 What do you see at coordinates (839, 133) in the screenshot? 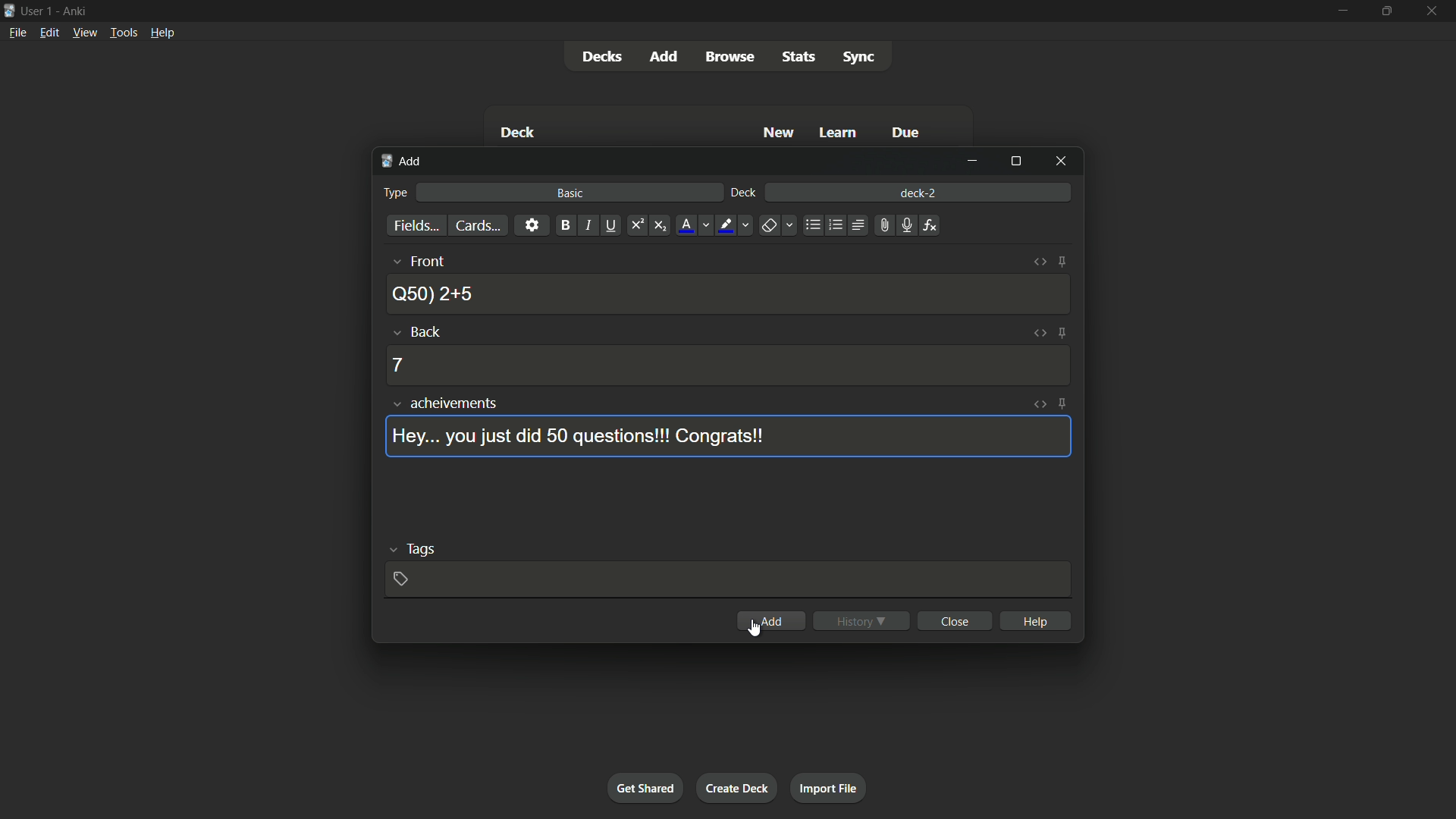
I see `Learn` at bounding box center [839, 133].